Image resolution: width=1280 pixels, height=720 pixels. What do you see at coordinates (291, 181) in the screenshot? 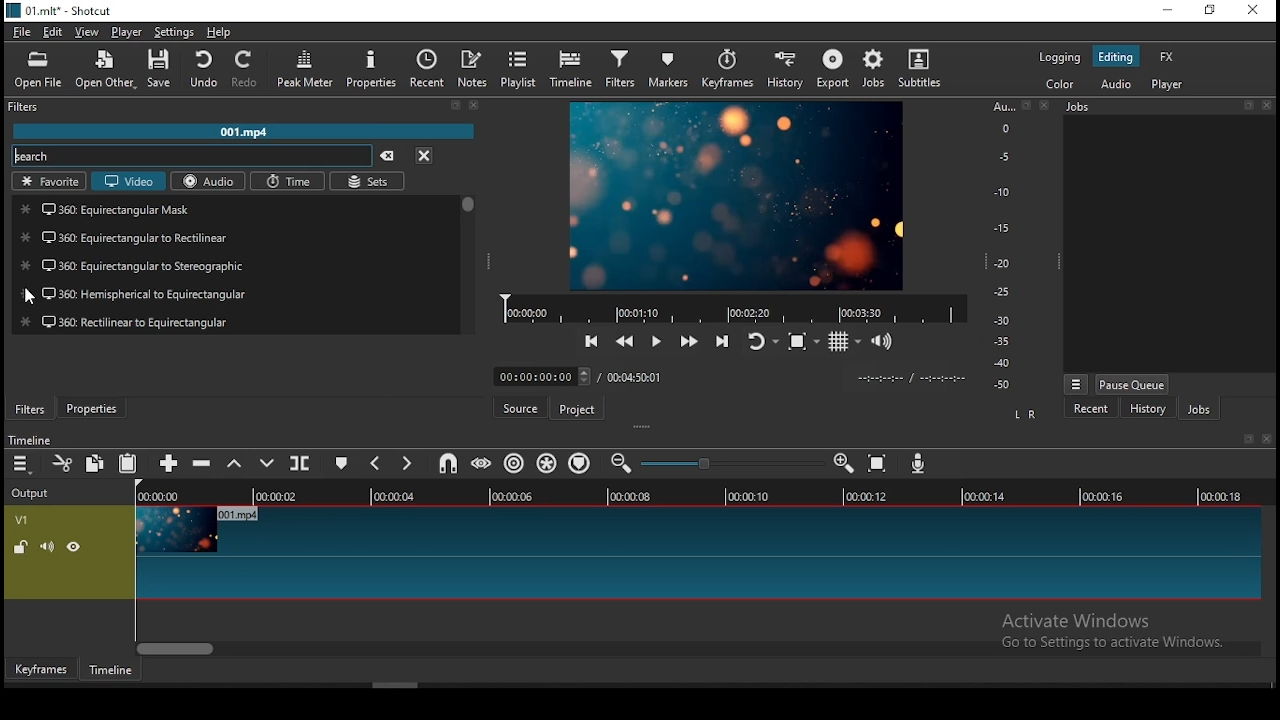
I see `time` at bounding box center [291, 181].